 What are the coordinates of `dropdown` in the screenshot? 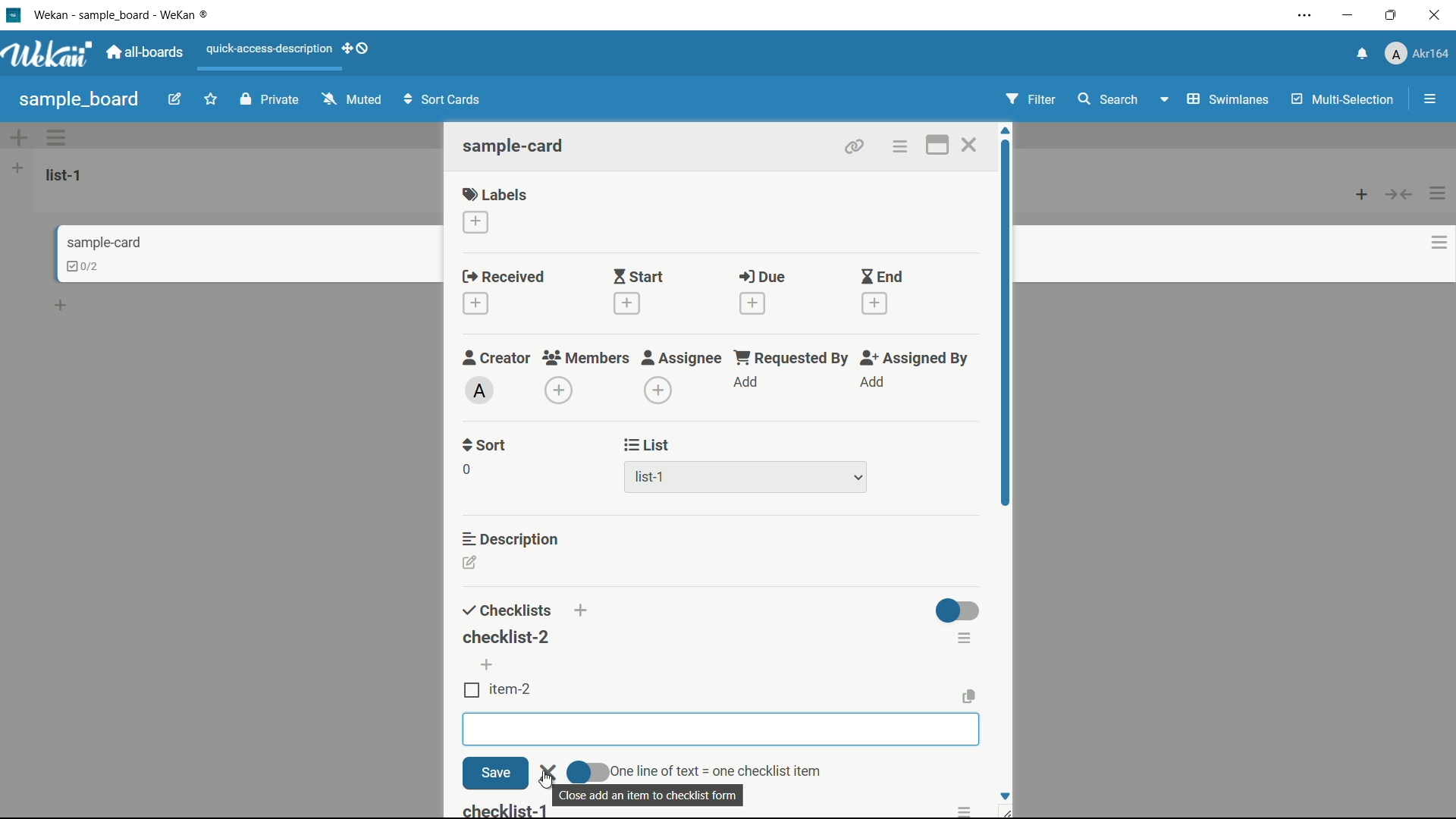 It's located at (1163, 102).